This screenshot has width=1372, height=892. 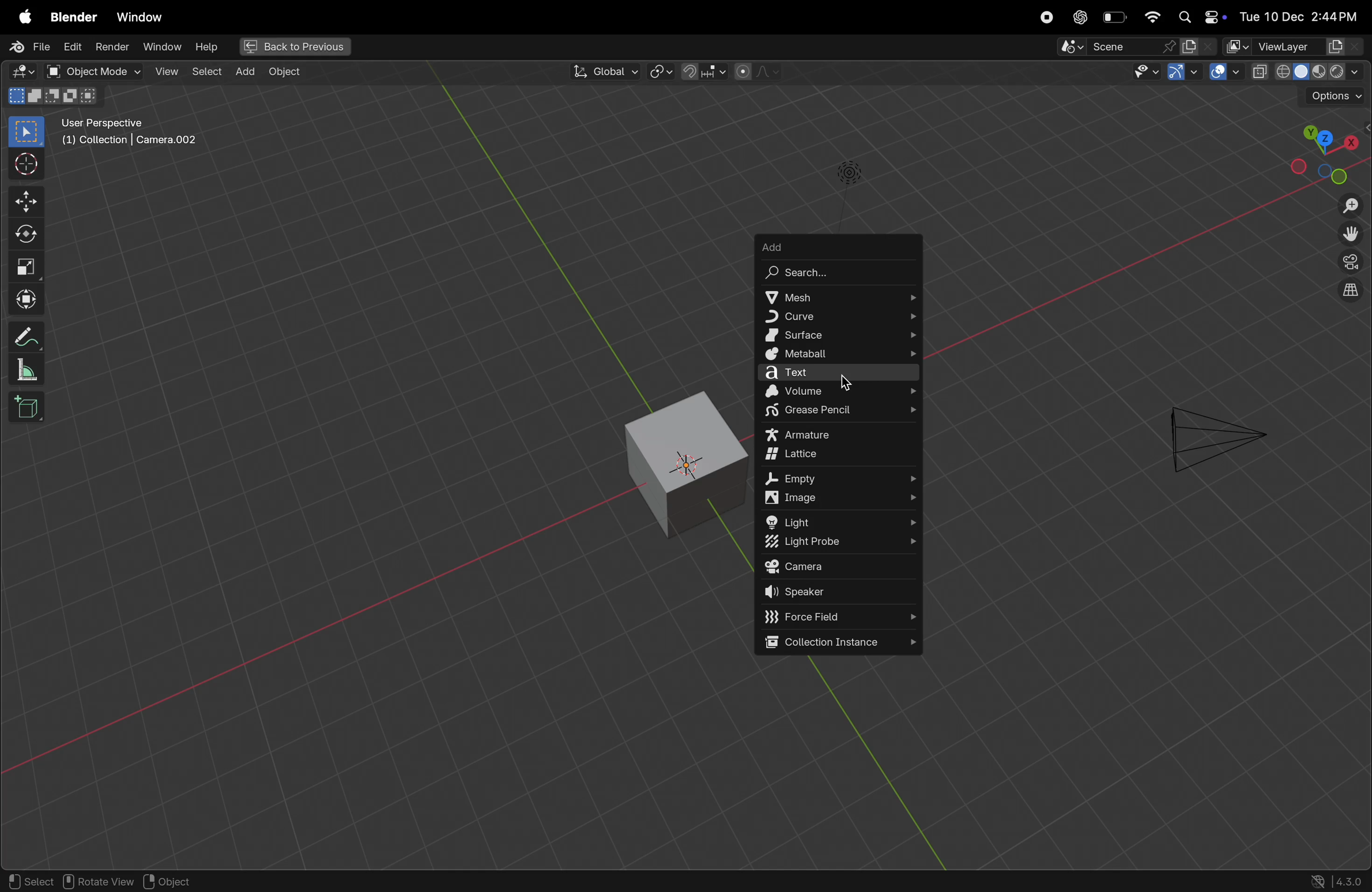 I want to click on Volume, so click(x=840, y=392).